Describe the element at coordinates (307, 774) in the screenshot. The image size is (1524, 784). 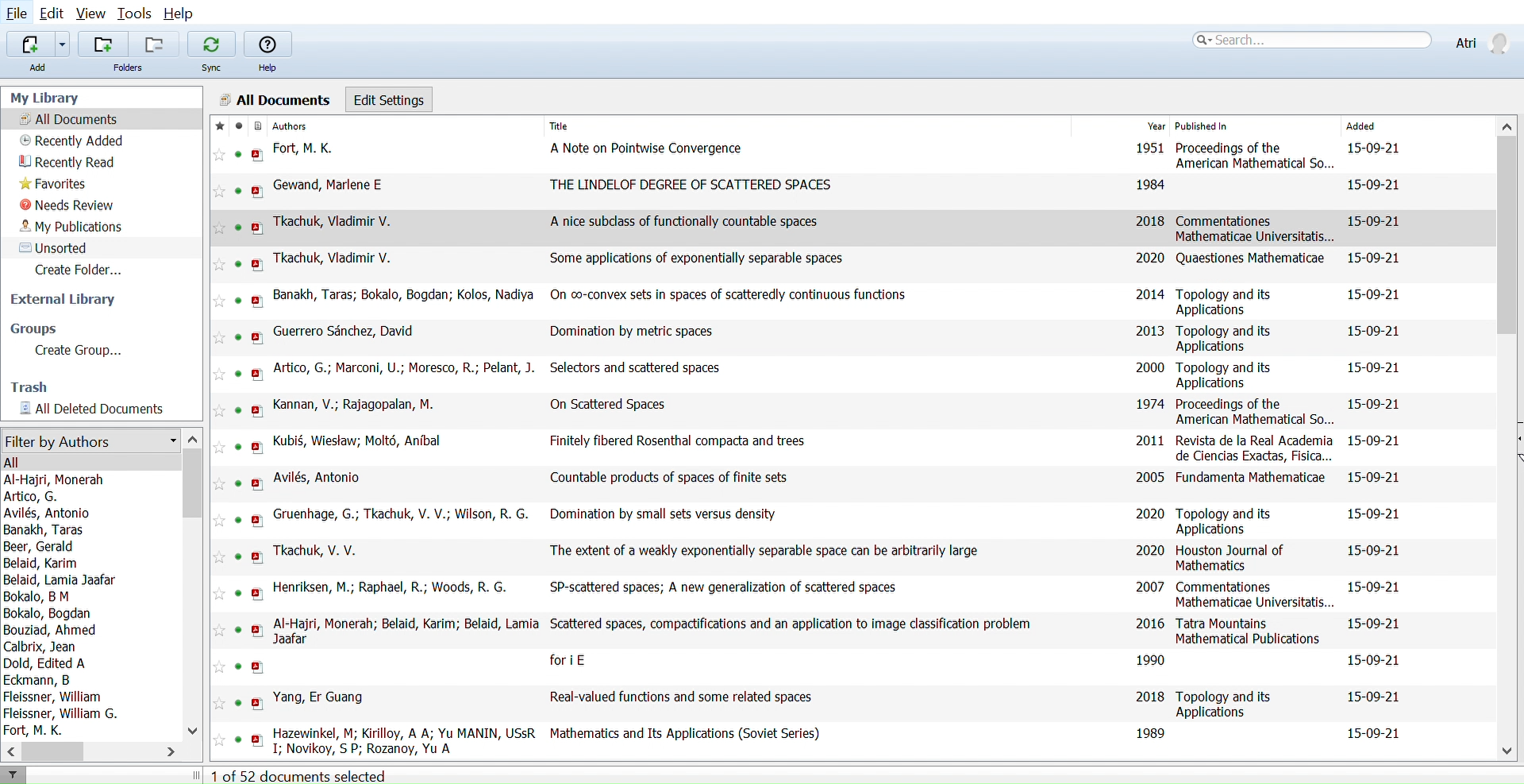
I see `1 of 52 documents selected` at that location.